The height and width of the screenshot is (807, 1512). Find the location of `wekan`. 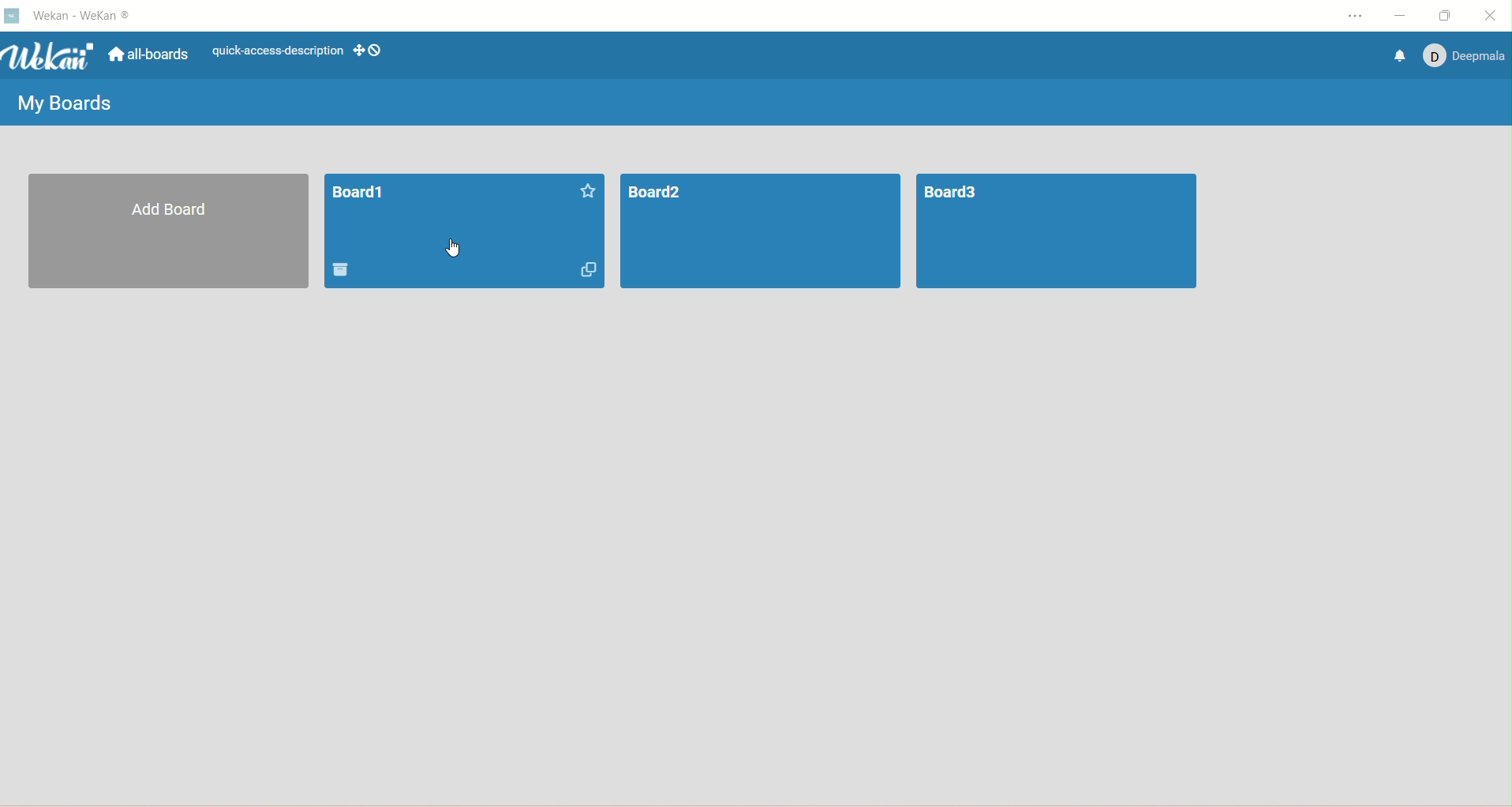

wekan is located at coordinates (51, 56).